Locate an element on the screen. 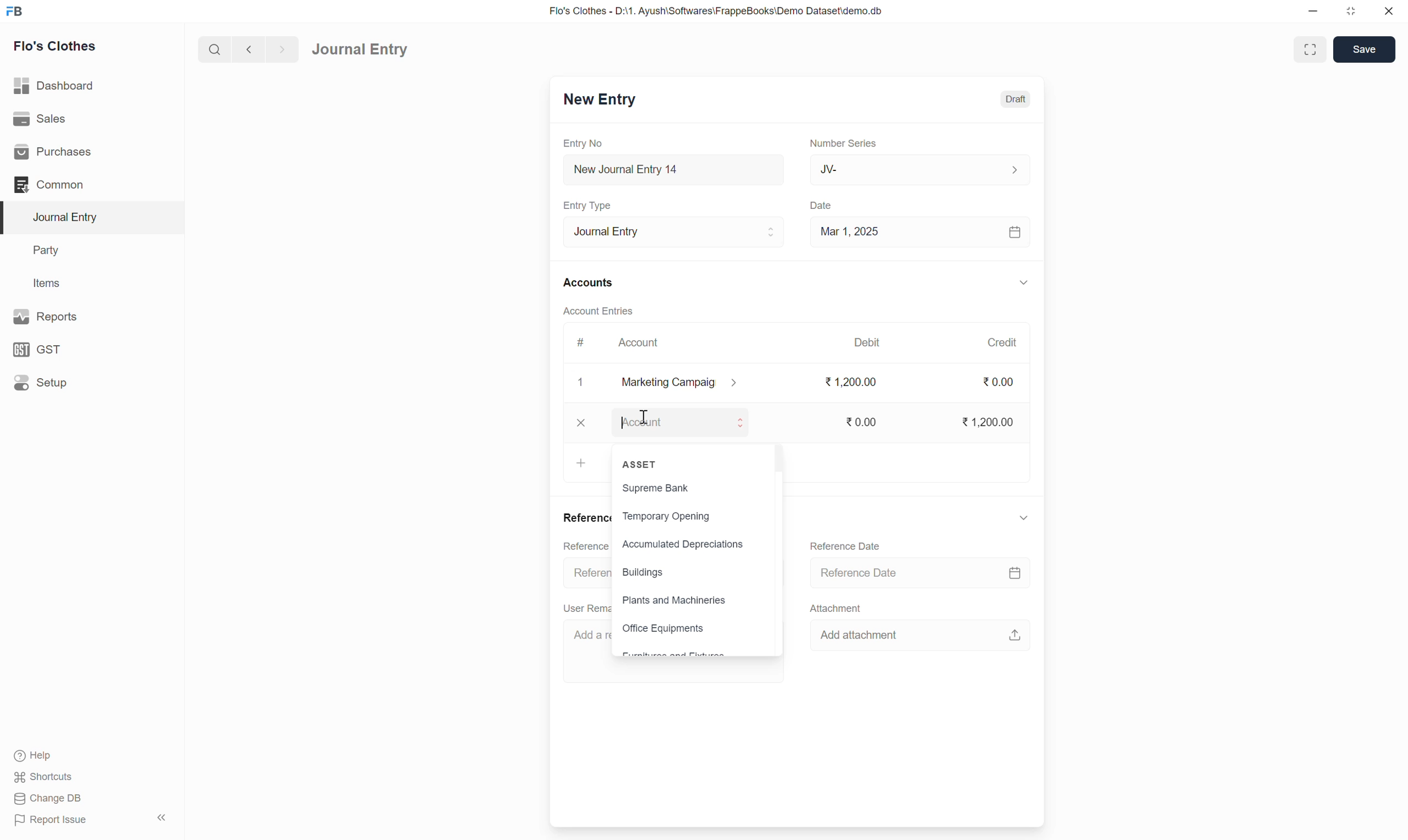 The image size is (1408, 840). Attachment is located at coordinates (836, 608).